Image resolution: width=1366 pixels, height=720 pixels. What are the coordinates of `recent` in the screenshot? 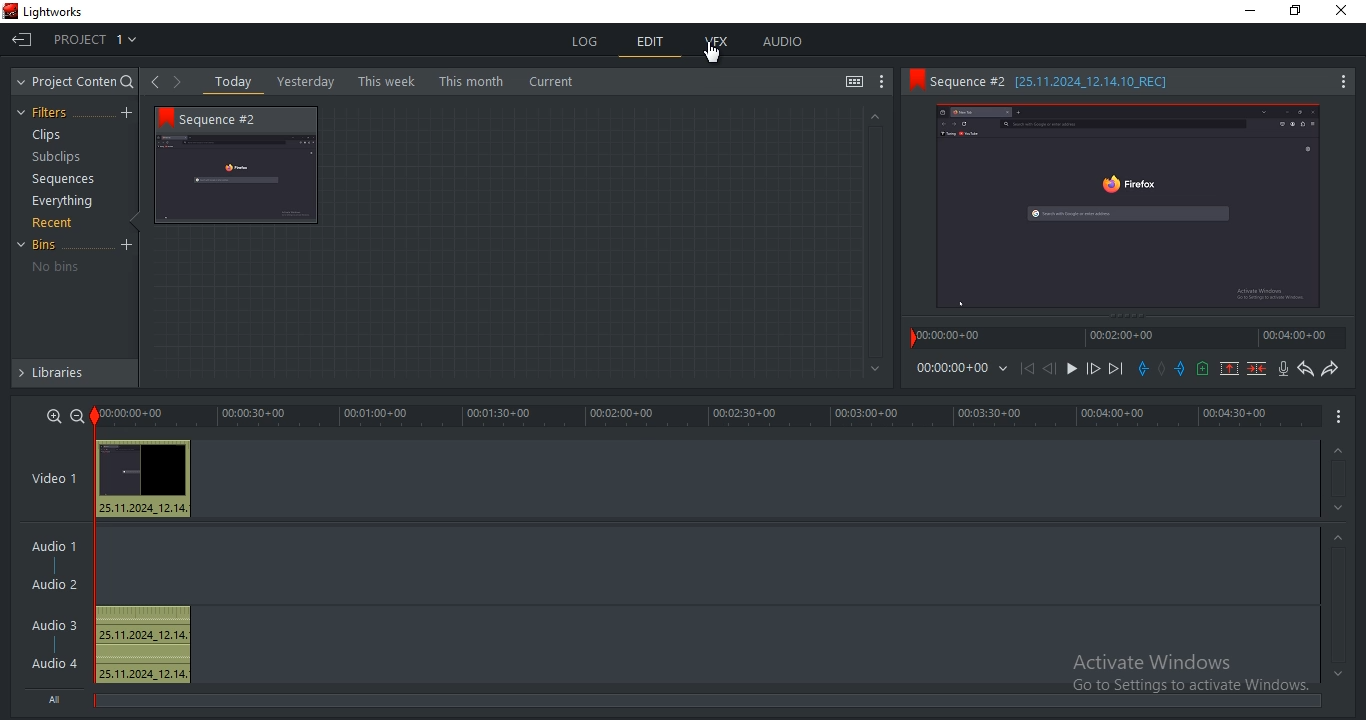 It's located at (55, 225).